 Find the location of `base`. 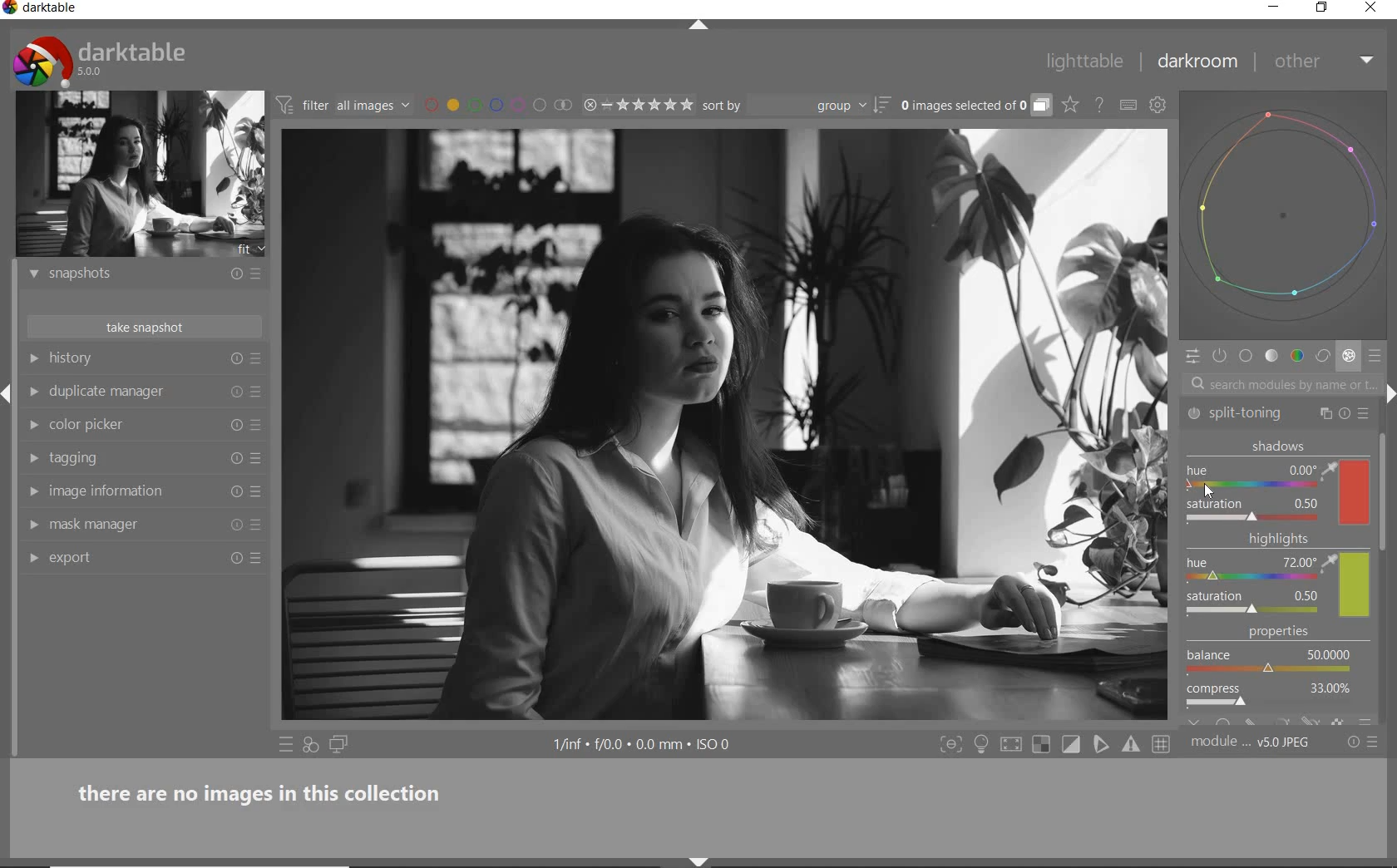

base is located at coordinates (1246, 358).